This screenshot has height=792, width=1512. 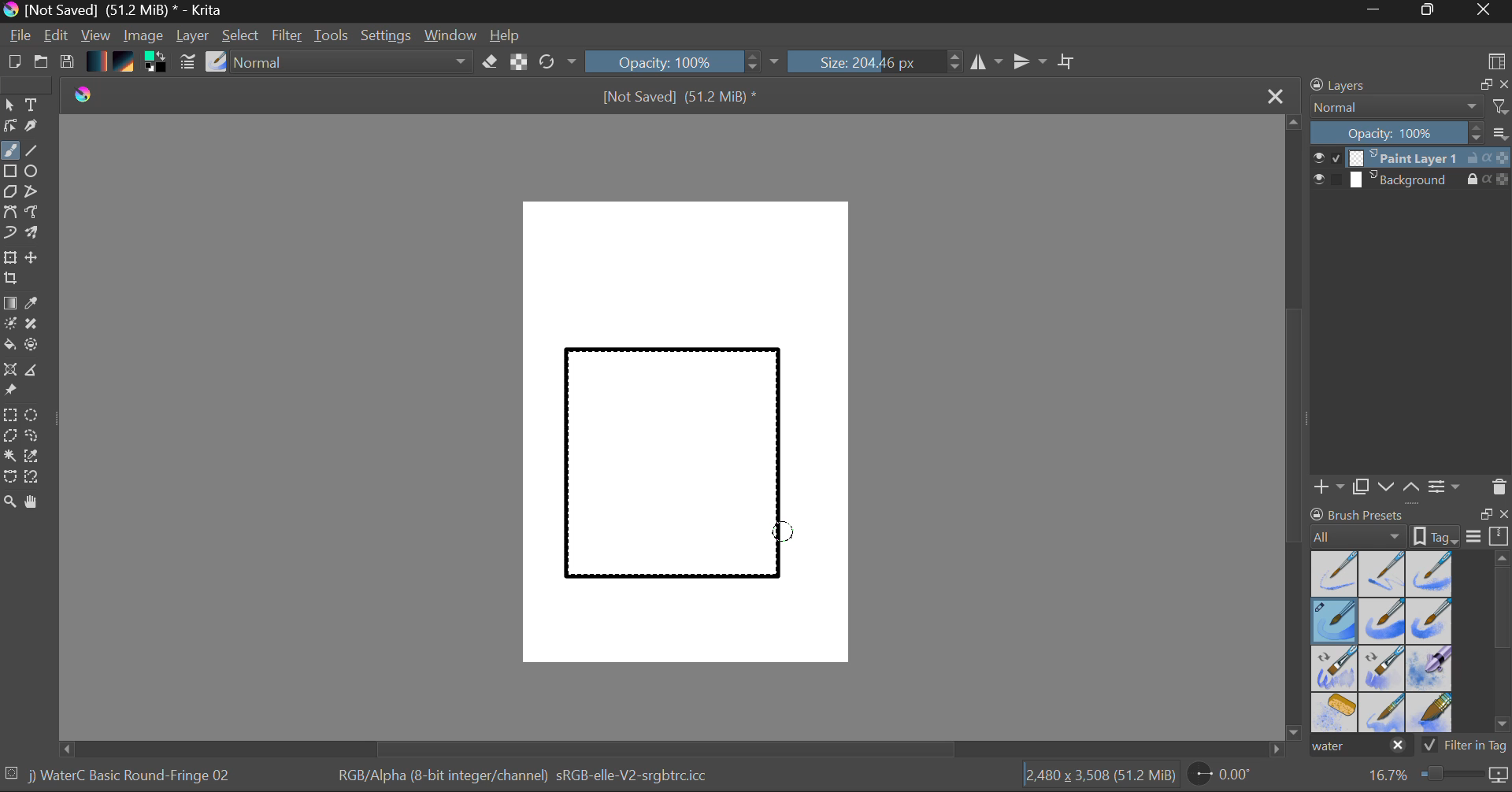 I want to click on Filter in Tag Option, so click(x=1466, y=747).